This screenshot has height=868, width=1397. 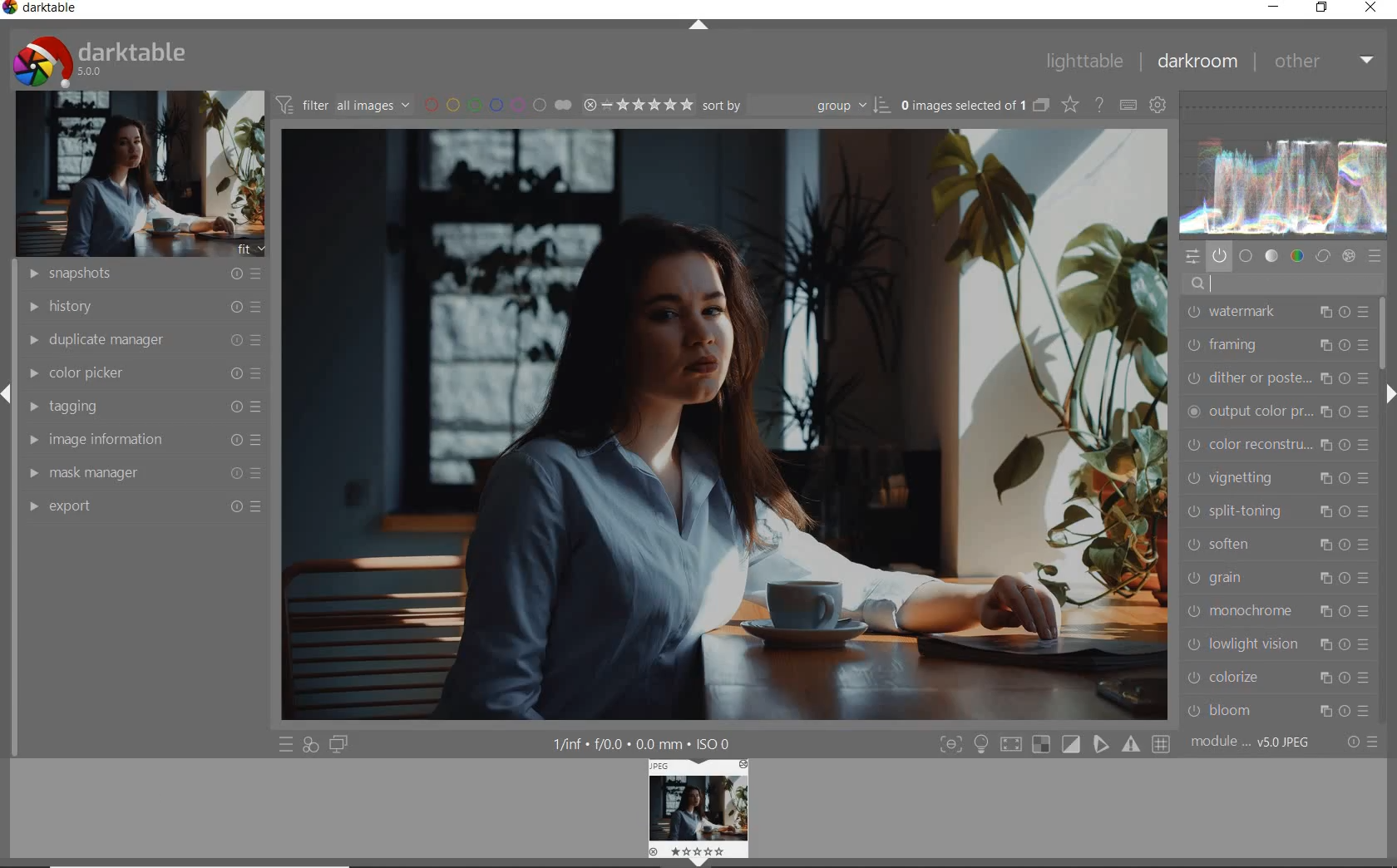 What do you see at coordinates (141, 305) in the screenshot?
I see `history` at bounding box center [141, 305].